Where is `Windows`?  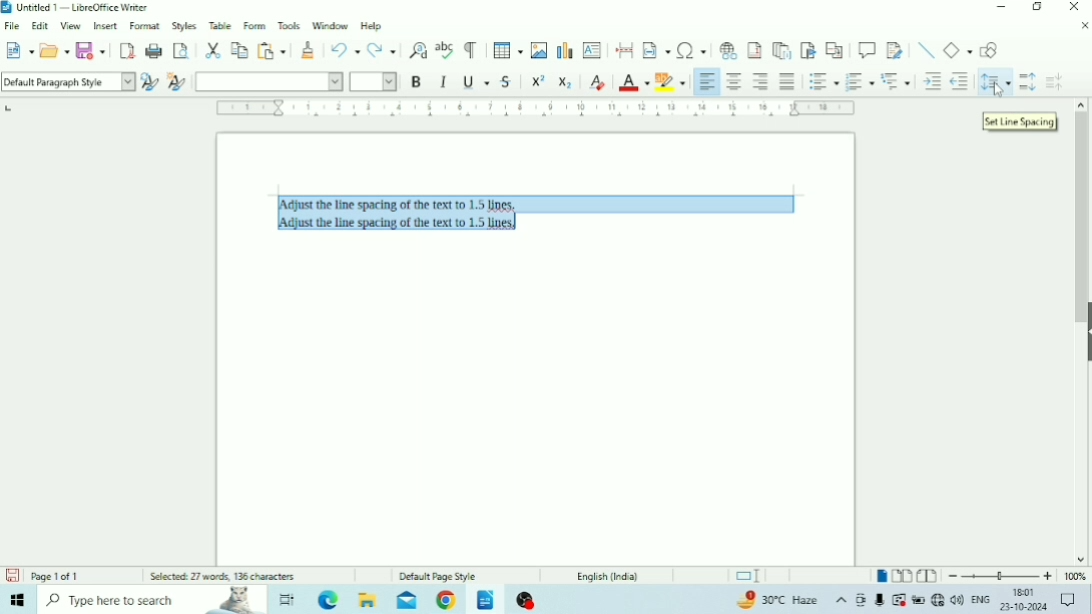
Windows is located at coordinates (17, 600).